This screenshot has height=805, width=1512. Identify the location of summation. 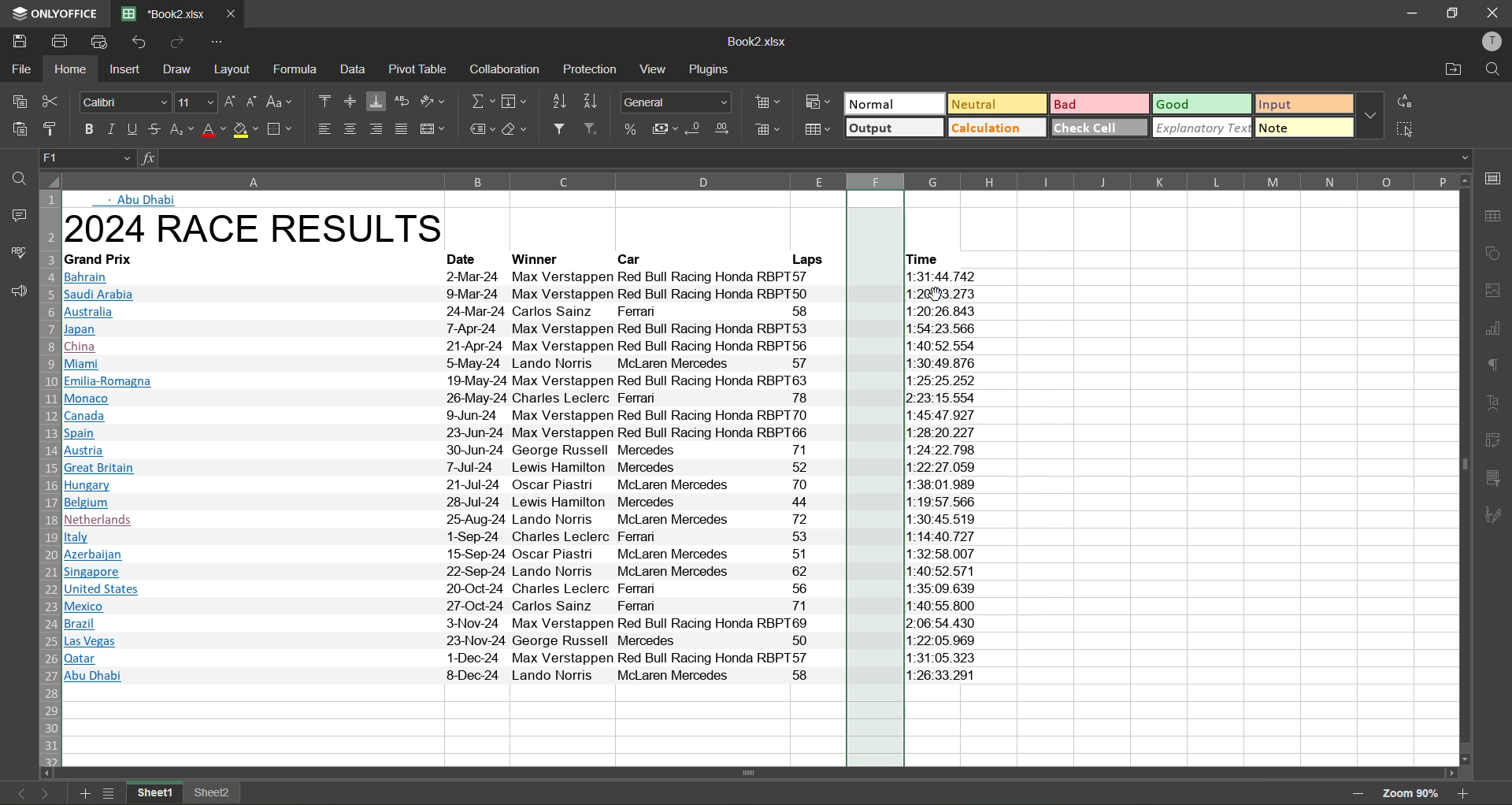
(478, 102).